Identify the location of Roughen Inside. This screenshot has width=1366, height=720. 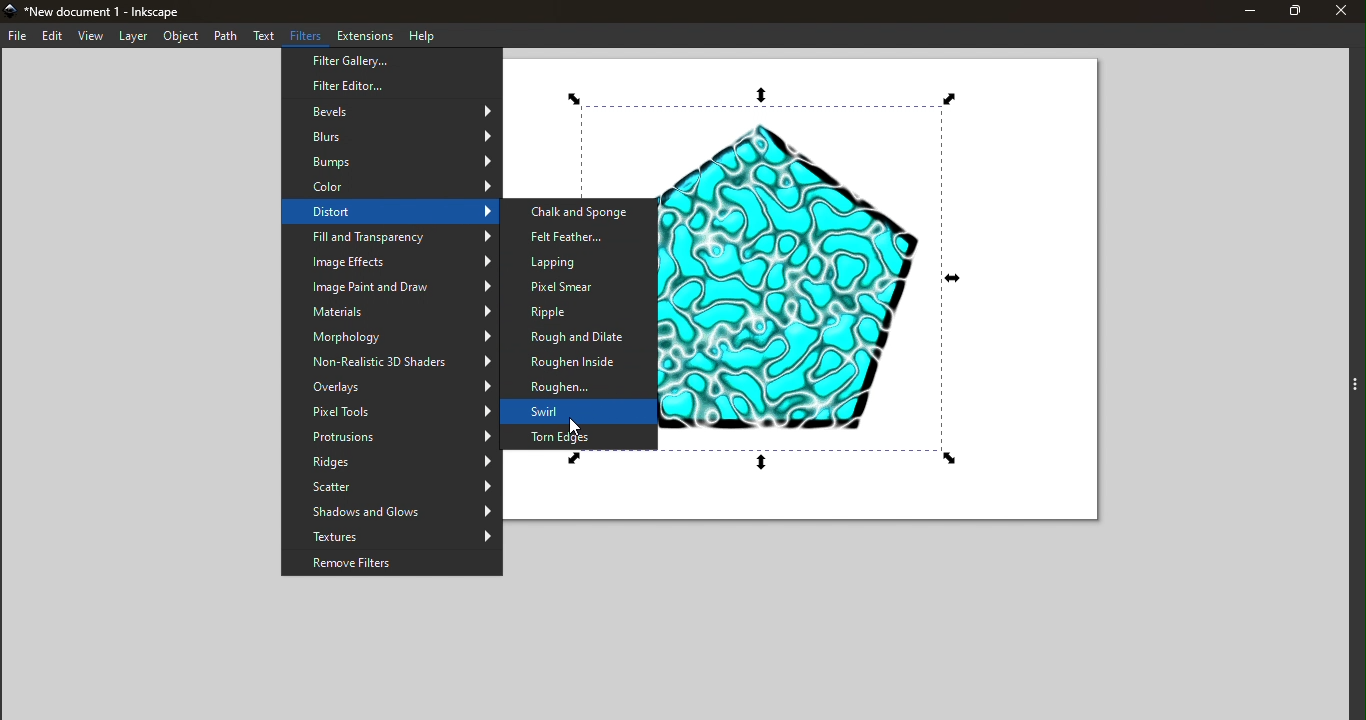
(581, 361).